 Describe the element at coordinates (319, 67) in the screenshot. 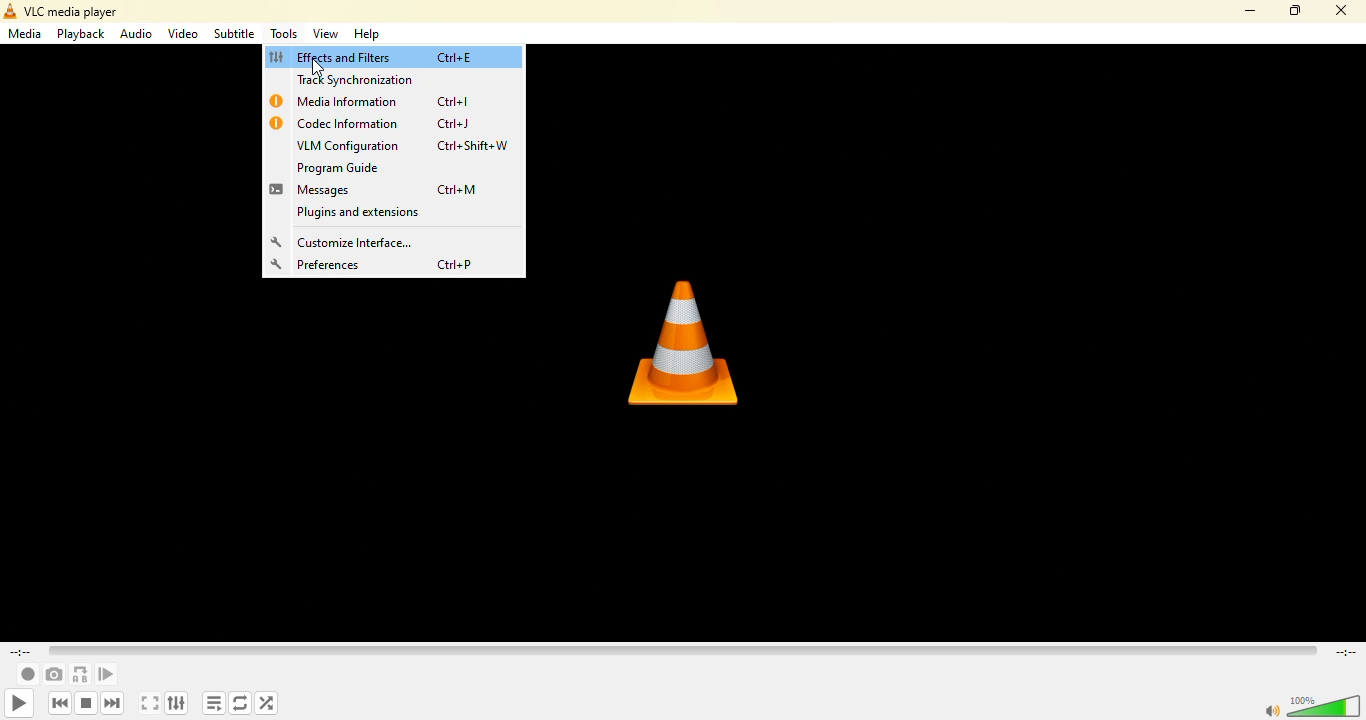

I see `Cursor` at that location.